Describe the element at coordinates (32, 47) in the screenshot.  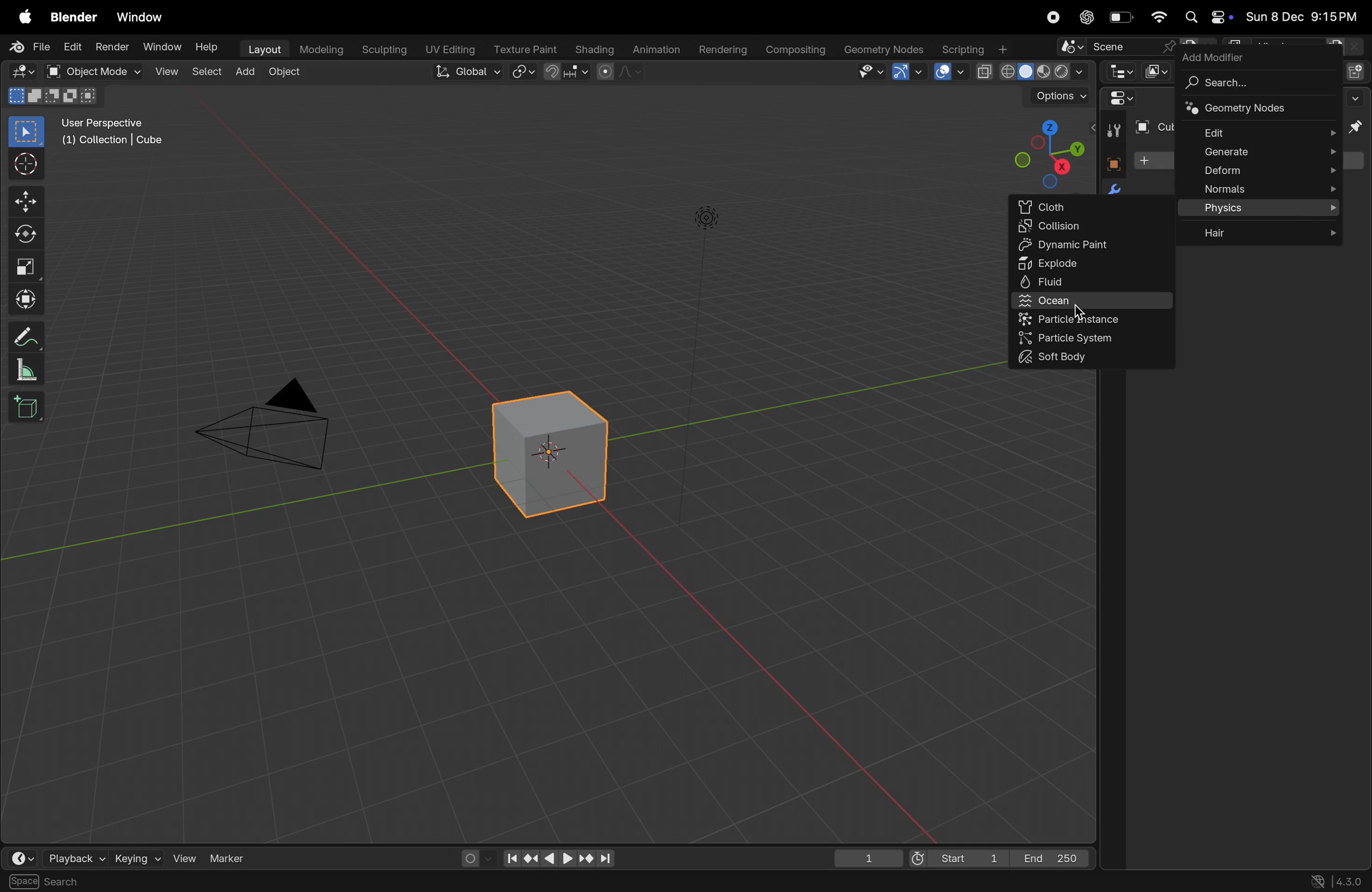
I see `file` at that location.